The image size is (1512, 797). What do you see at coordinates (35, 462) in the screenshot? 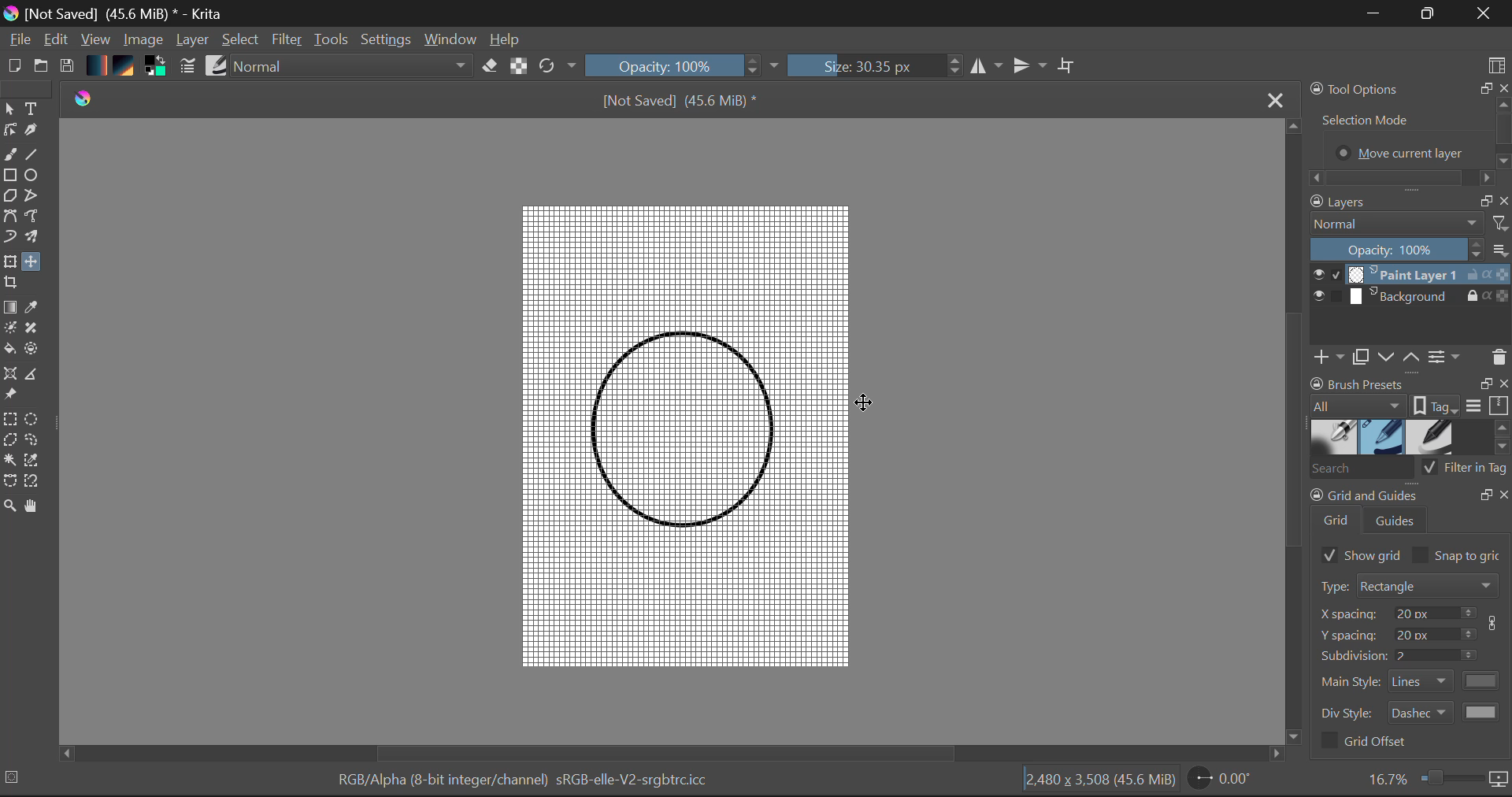
I see `Similar Color Selector` at bounding box center [35, 462].